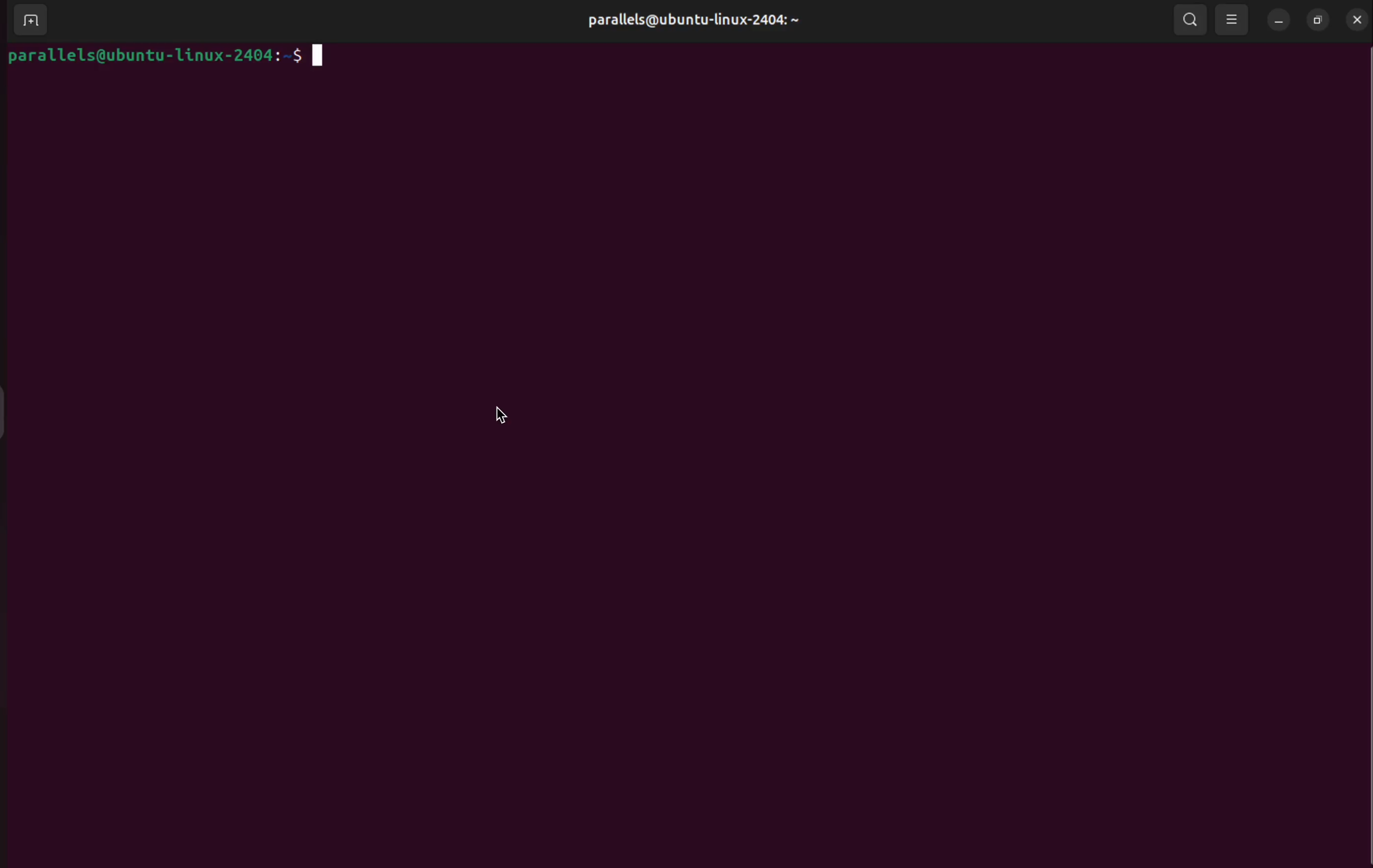  What do you see at coordinates (26, 18) in the screenshot?
I see `add terminal` at bounding box center [26, 18].